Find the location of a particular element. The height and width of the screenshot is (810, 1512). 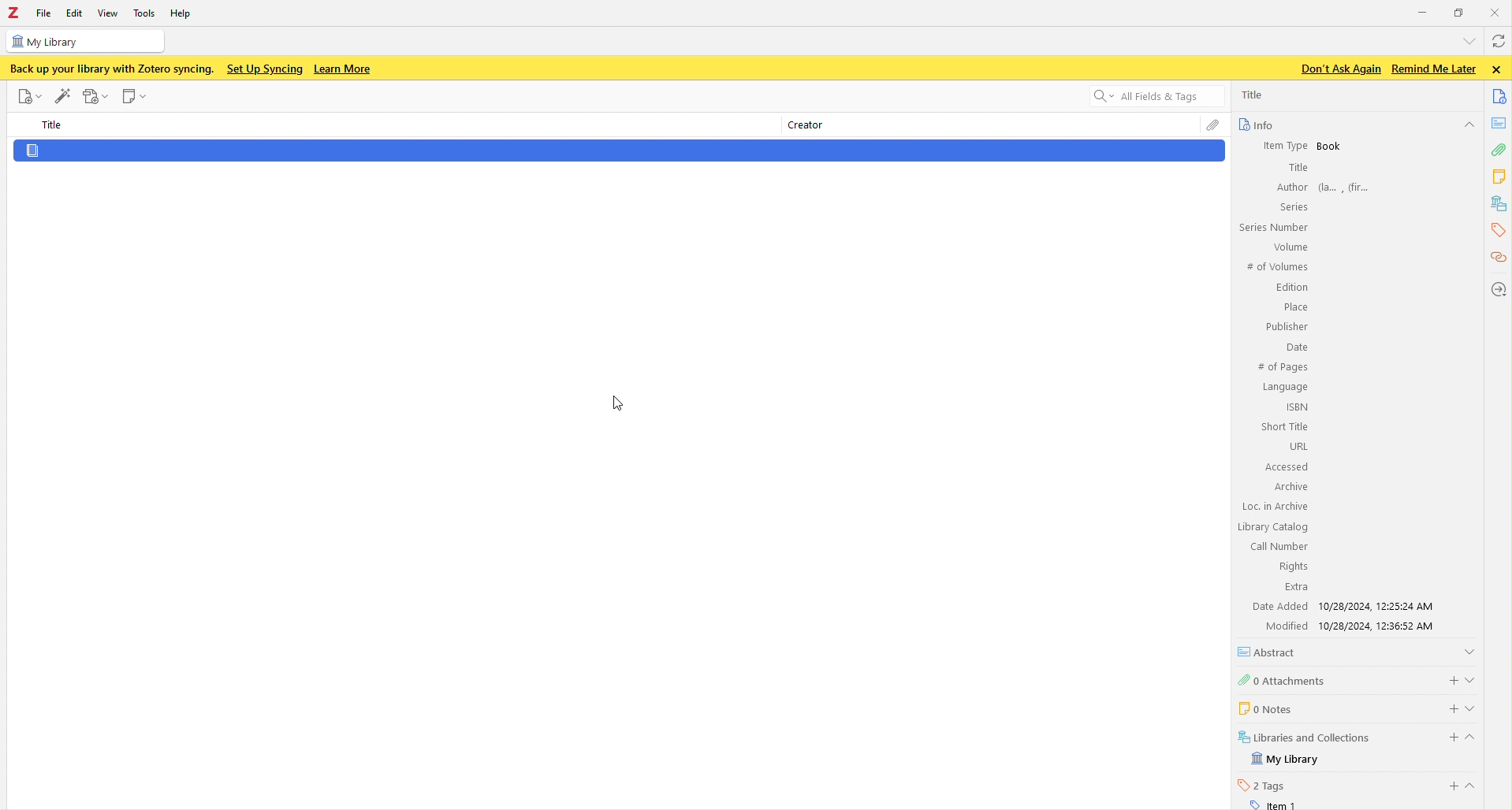

# of Pages is located at coordinates (1282, 368).